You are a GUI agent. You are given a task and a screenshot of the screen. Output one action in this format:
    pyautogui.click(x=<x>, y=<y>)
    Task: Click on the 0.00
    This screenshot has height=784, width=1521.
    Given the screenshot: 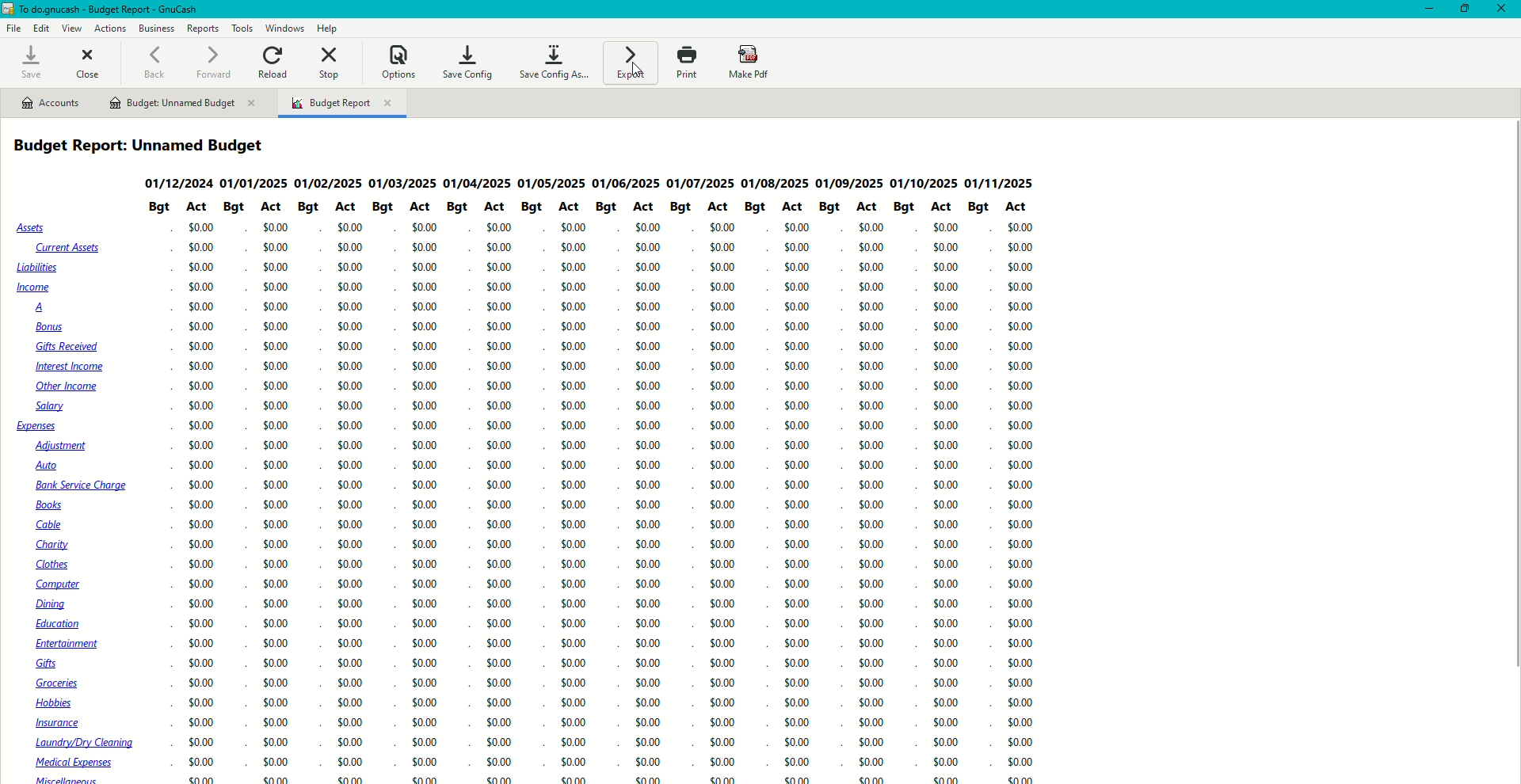 What is the action you would take?
    pyautogui.click(x=201, y=347)
    